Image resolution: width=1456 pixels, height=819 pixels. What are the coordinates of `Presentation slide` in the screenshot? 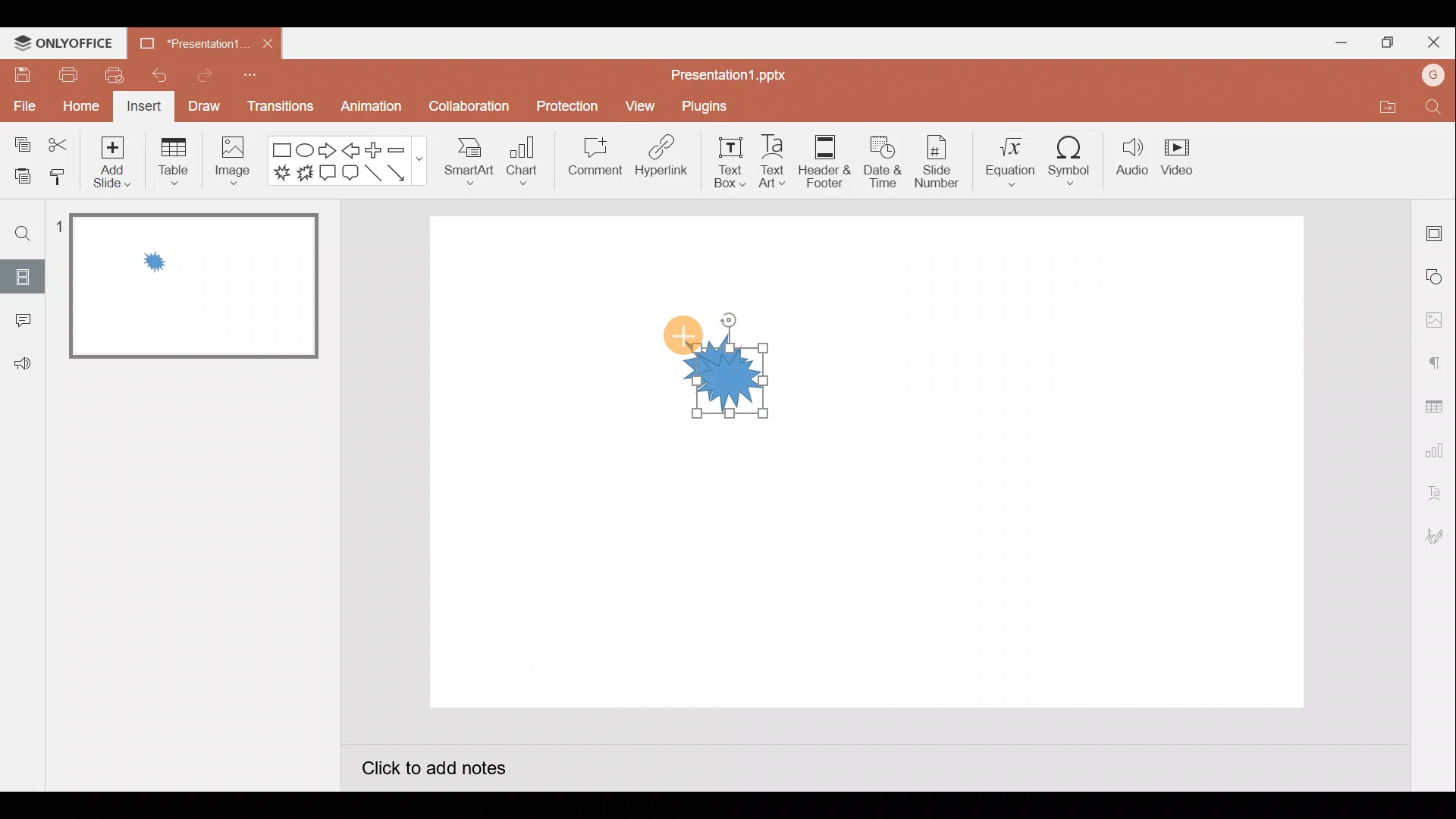 It's located at (1069, 467).